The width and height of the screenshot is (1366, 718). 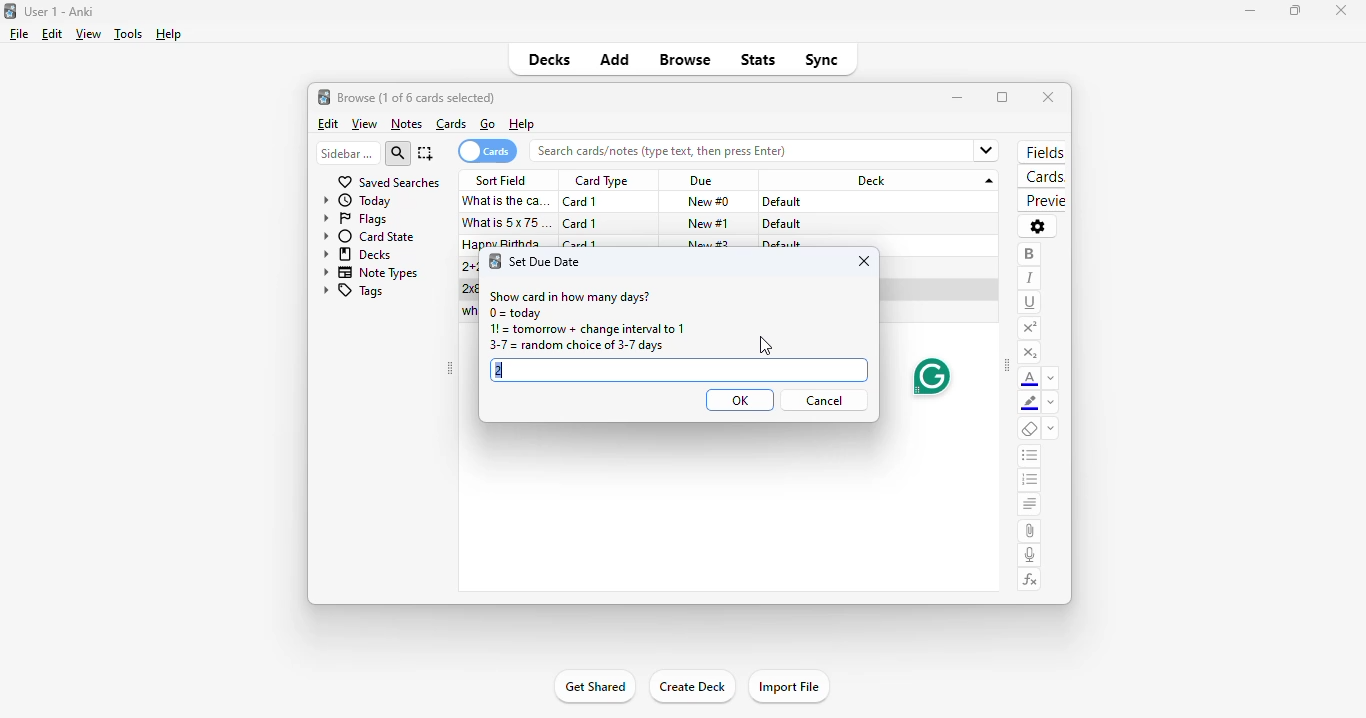 I want to click on superscript, so click(x=1029, y=328).